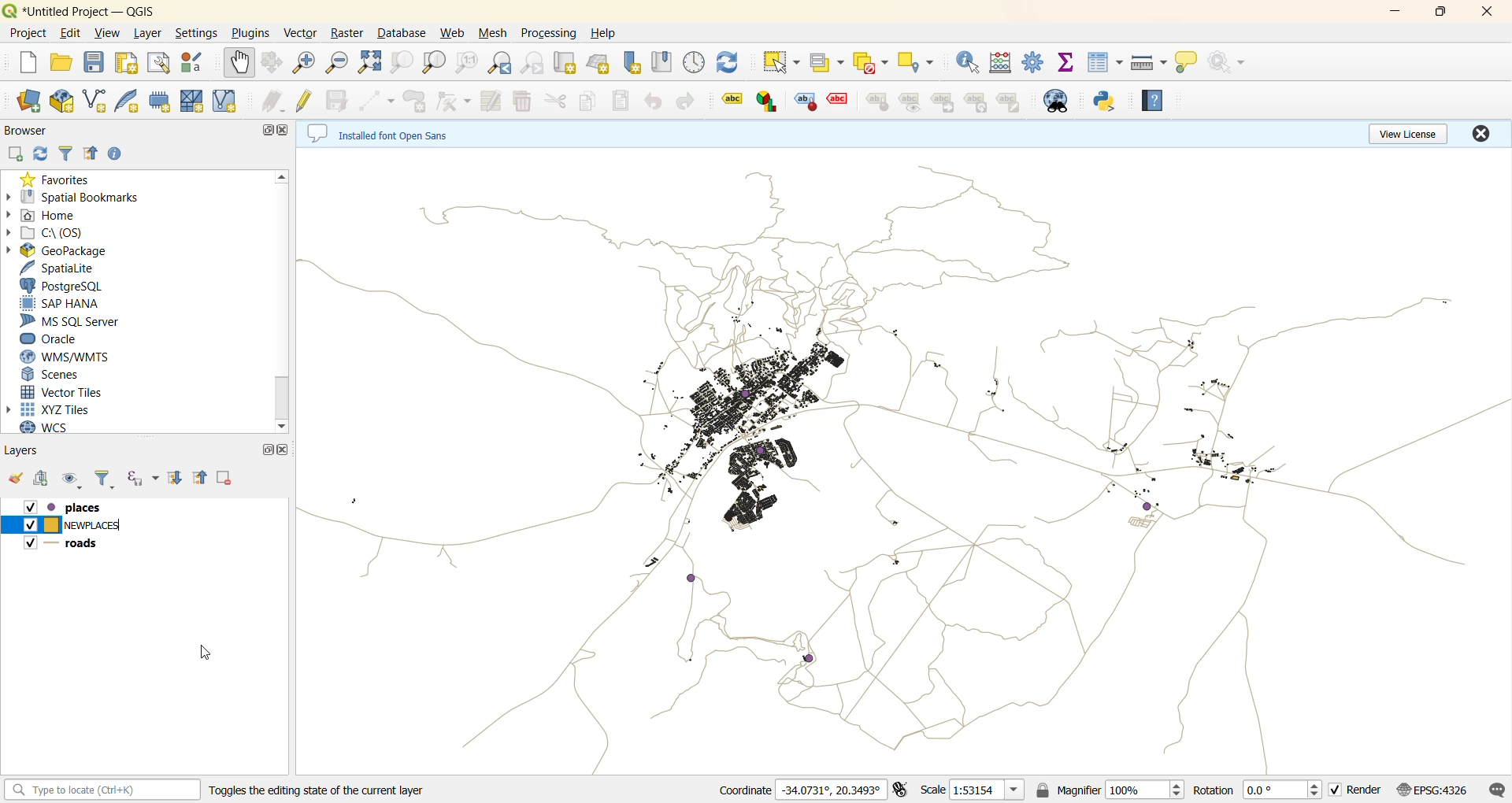  What do you see at coordinates (71, 322) in the screenshot?
I see `ms sql server` at bounding box center [71, 322].